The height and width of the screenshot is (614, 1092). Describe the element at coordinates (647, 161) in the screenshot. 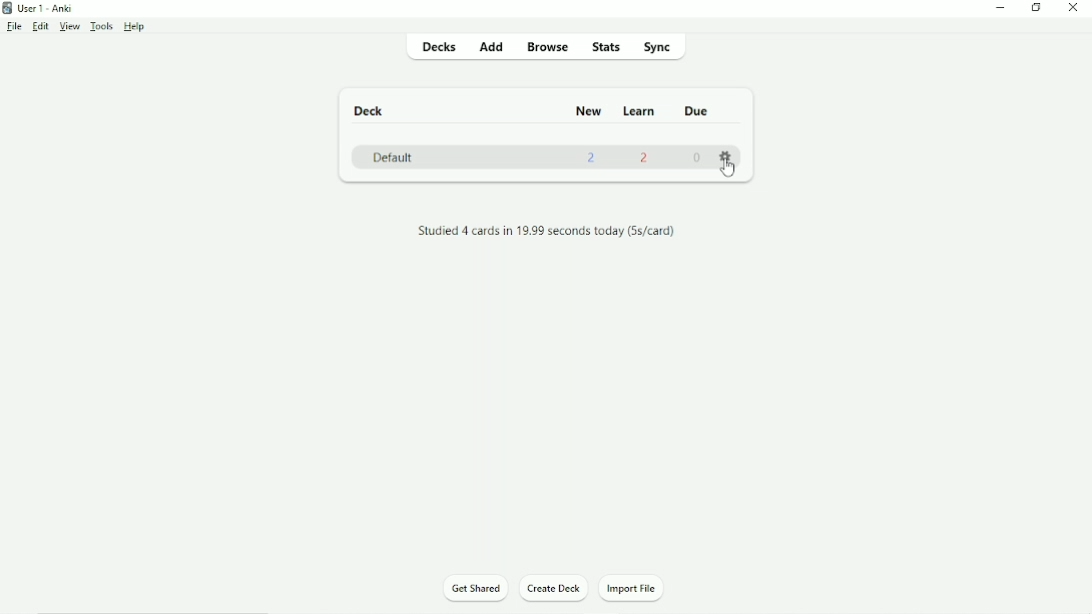

I see `2` at that location.